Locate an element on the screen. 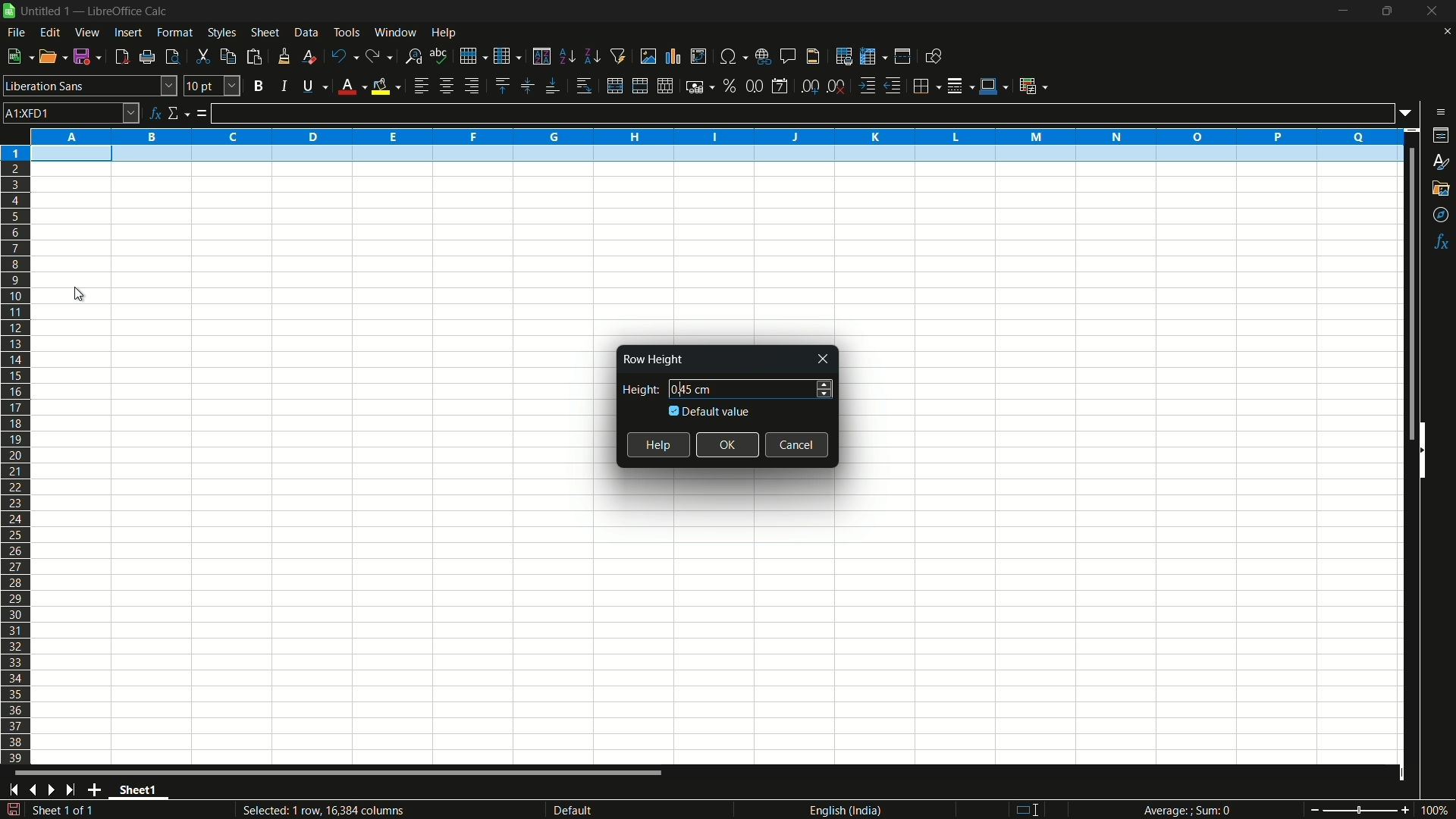 The image size is (1456, 819). sort ascending is located at coordinates (566, 57).